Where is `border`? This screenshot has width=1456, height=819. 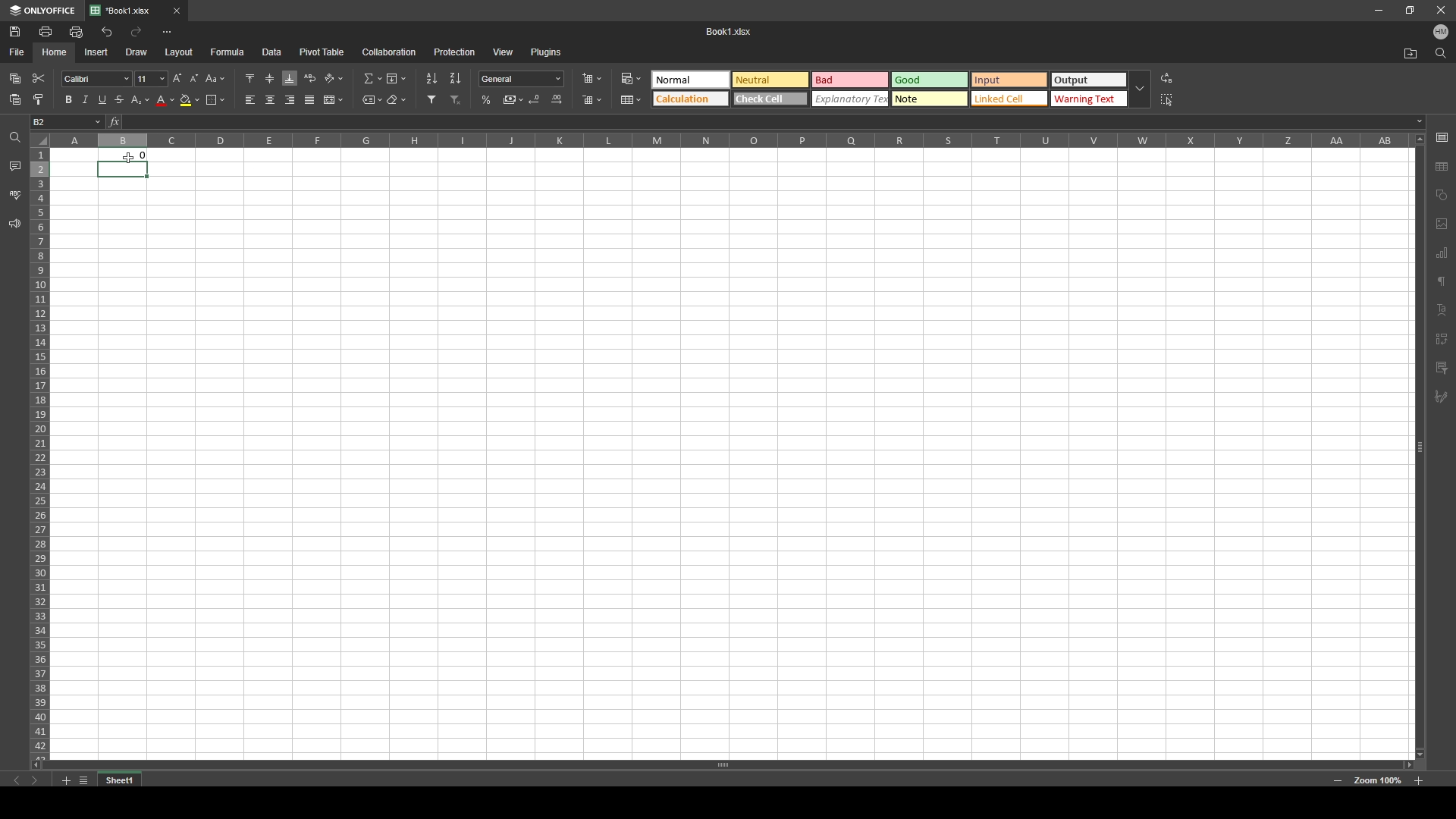
border is located at coordinates (215, 99).